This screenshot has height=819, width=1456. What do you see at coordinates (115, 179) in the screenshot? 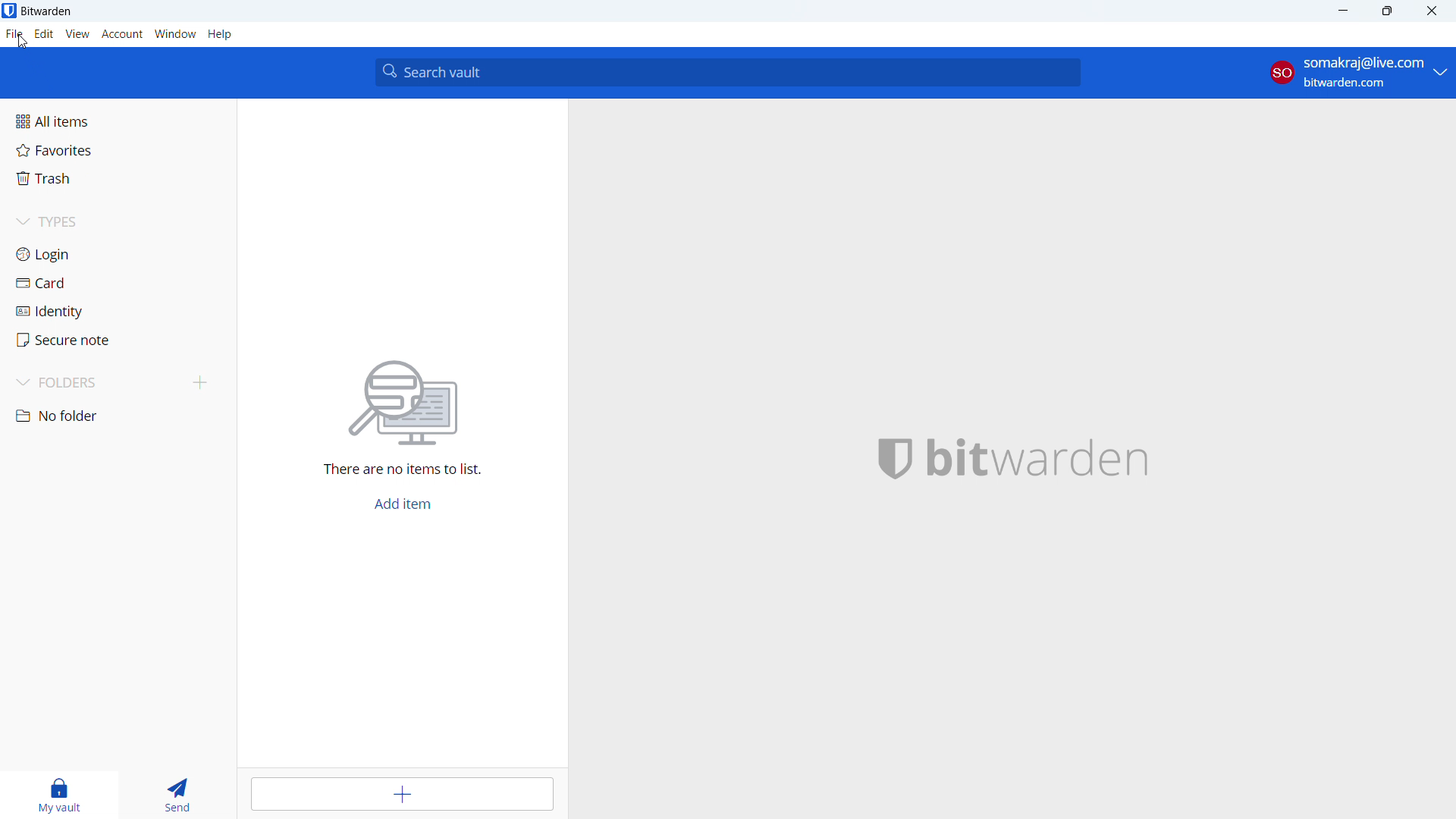
I see `trash` at bounding box center [115, 179].